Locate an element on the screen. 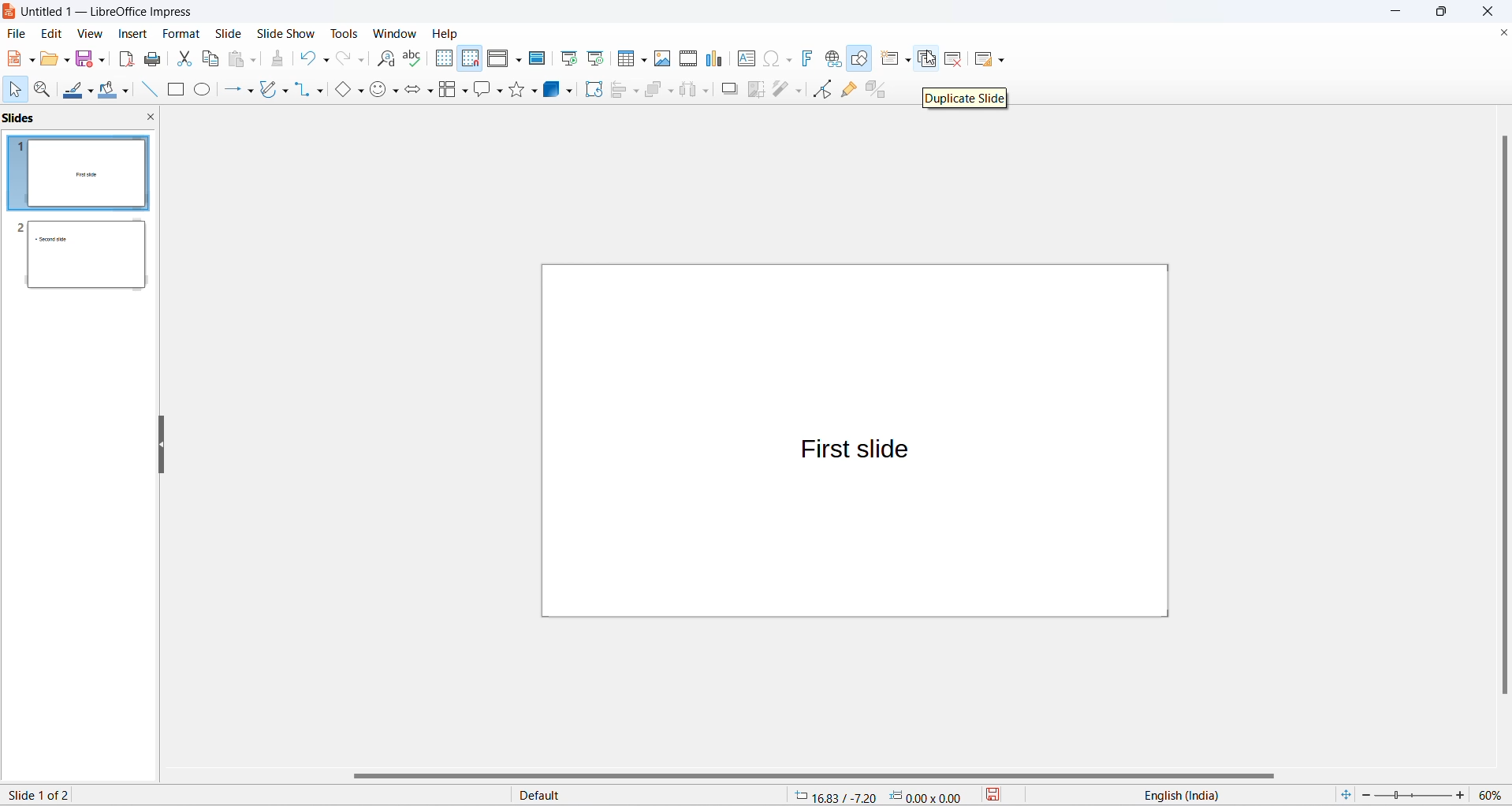  start from first slide is located at coordinates (568, 57).